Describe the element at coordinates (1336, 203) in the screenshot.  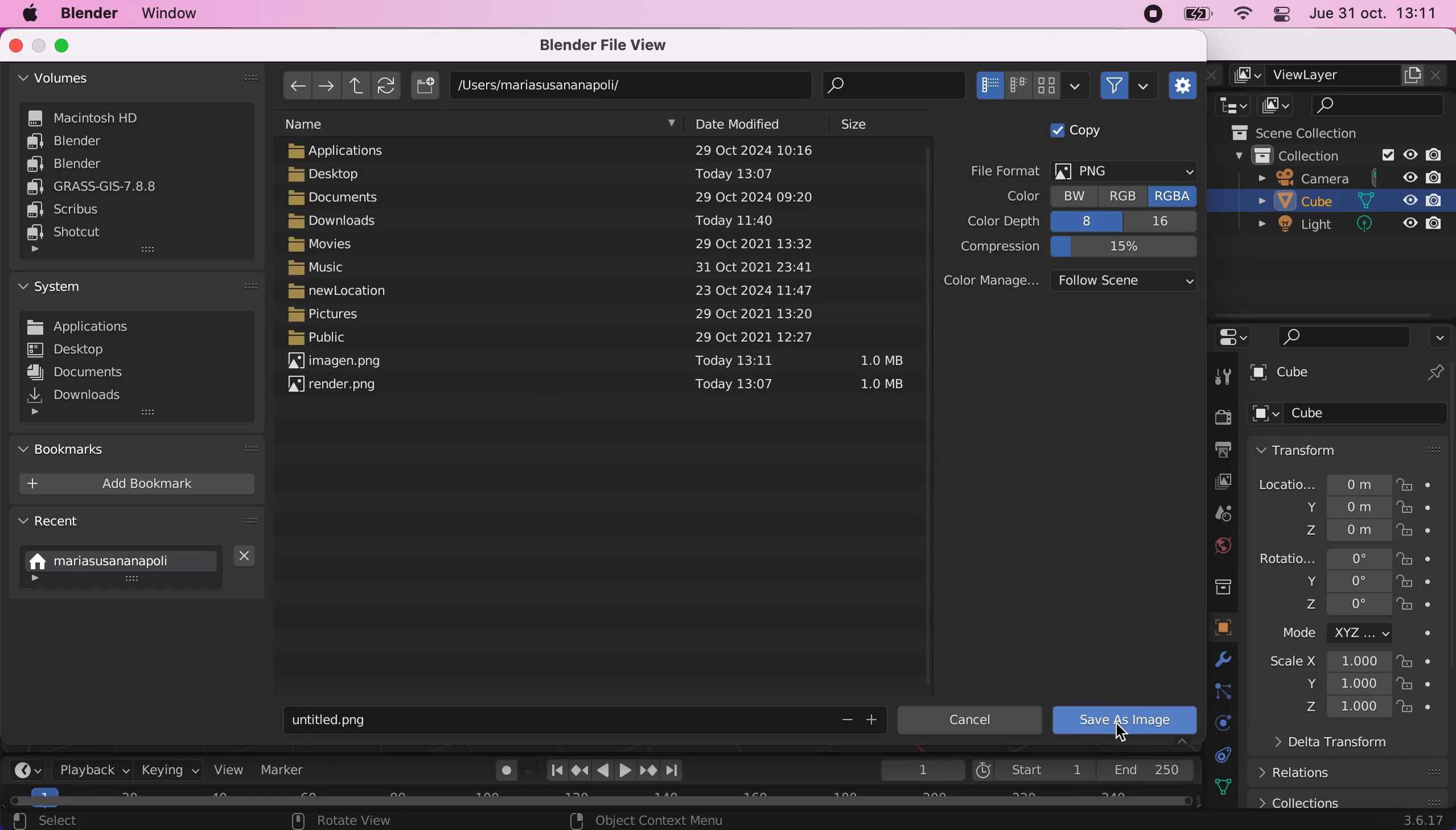
I see `cube` at that location.